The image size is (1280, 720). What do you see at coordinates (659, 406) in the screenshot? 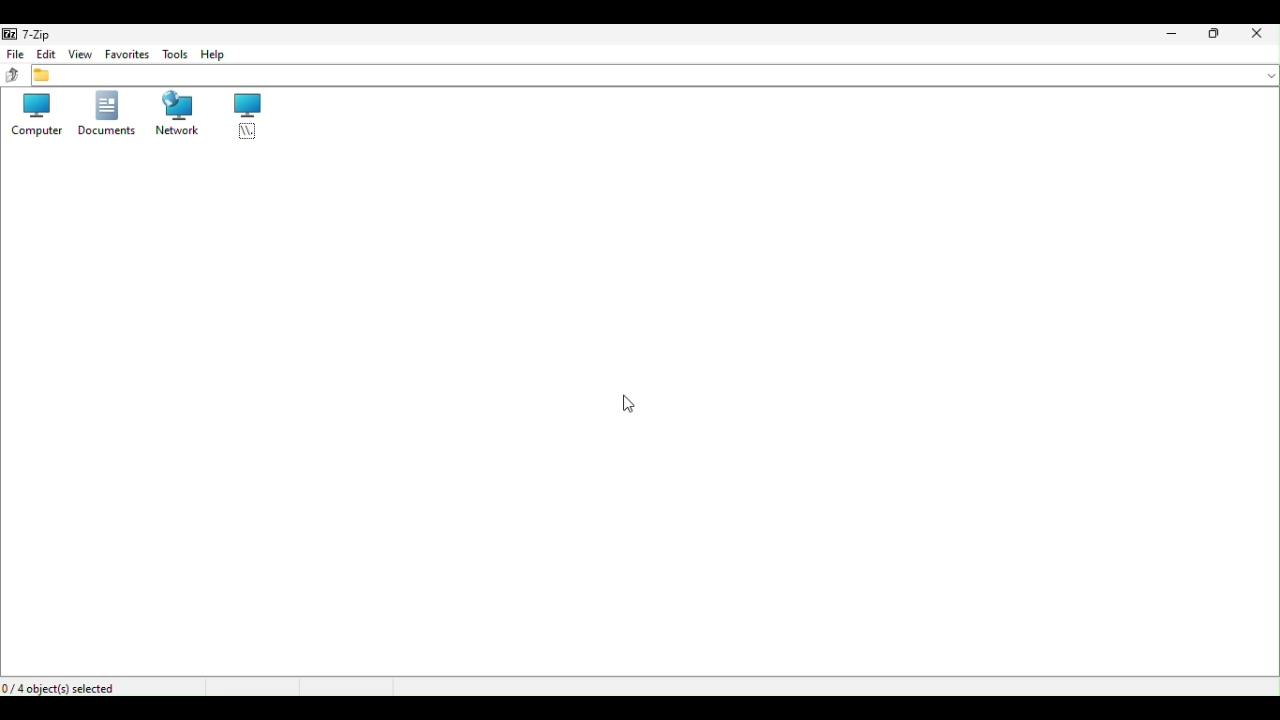
I see `cursor` at bounding box center [659, 406].